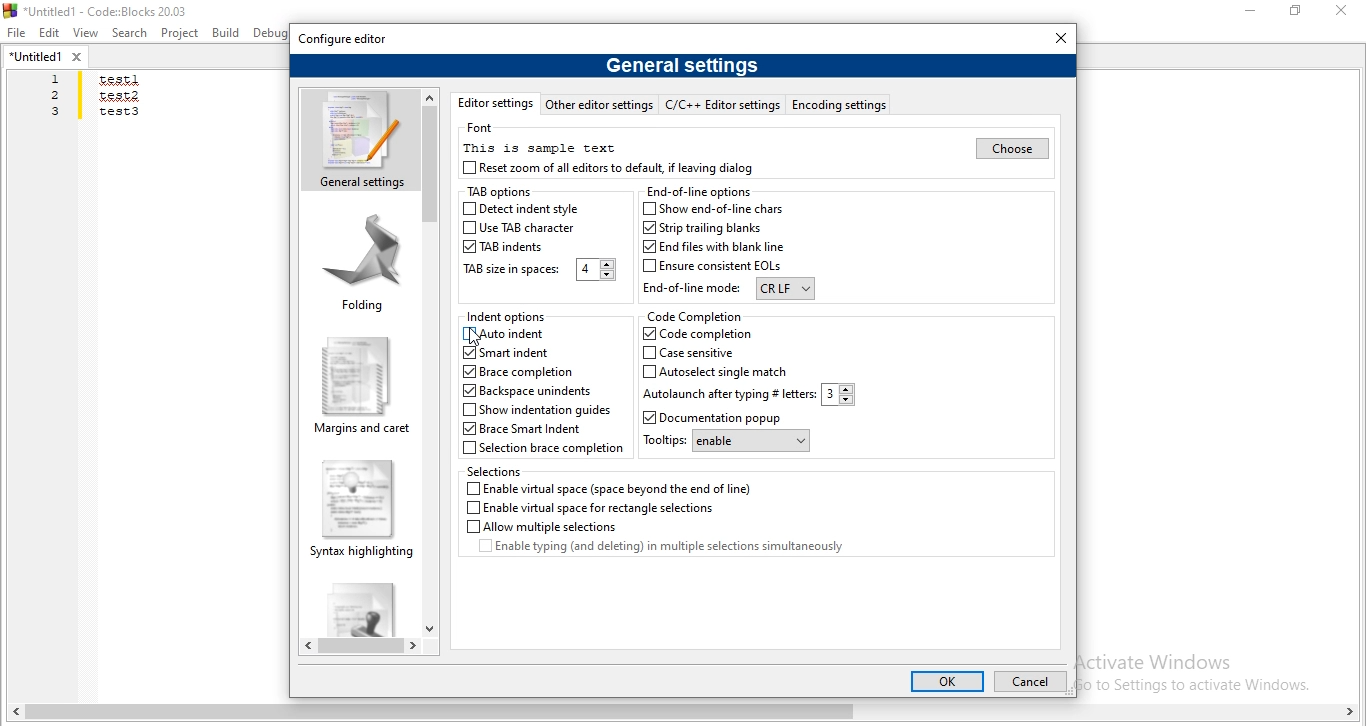 This screenshot has height=726, width=1366. What do you see at coordinates (714, 267) in the screenshot?
I see `Ensure consistent EOLs` at bounding box center [714, 267].